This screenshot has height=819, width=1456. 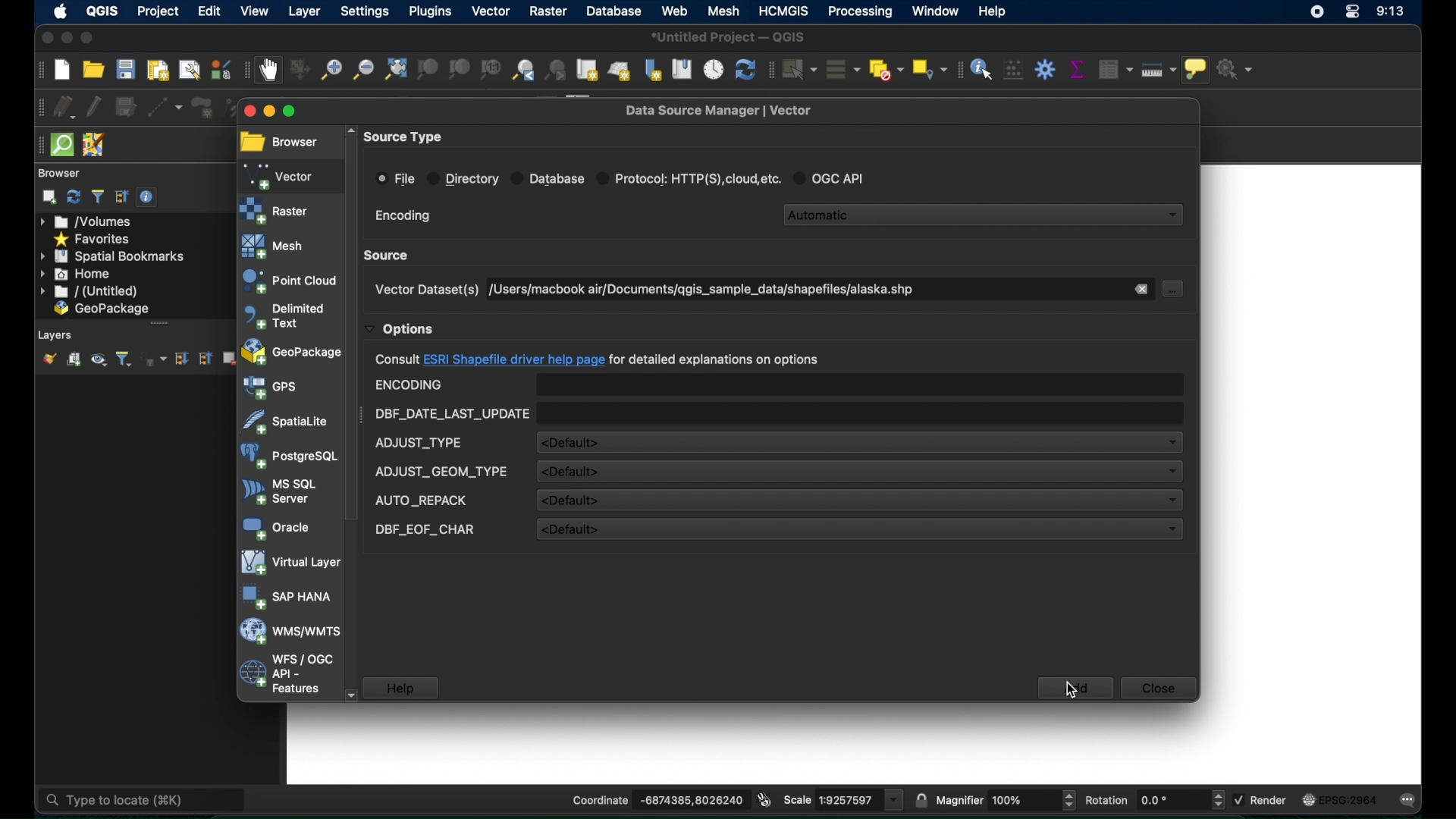 I want to click on addselected layers, so click(x=49, y=197).